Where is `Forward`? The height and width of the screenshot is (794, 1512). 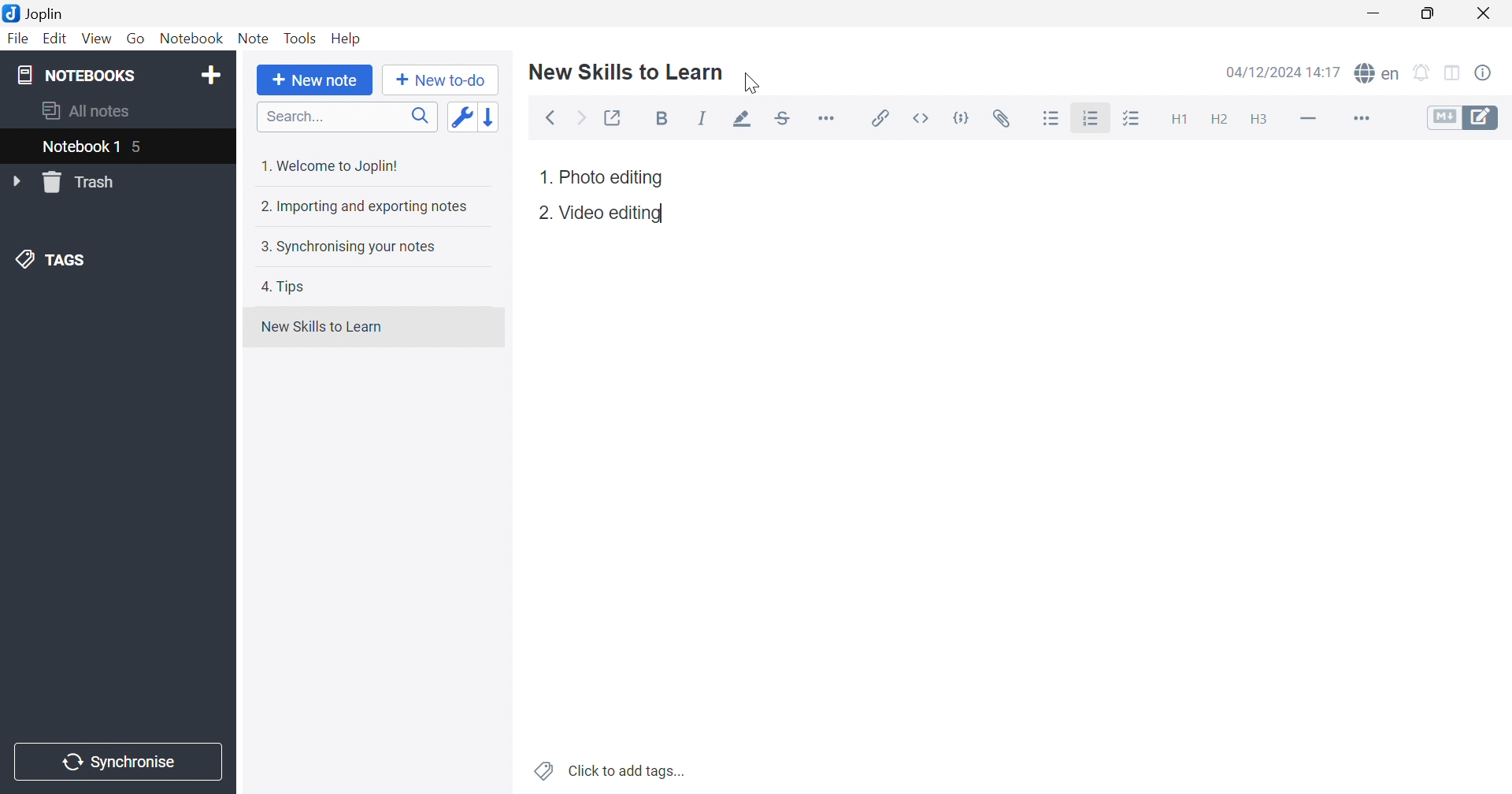 Forward is located at coordinates (582, 120).